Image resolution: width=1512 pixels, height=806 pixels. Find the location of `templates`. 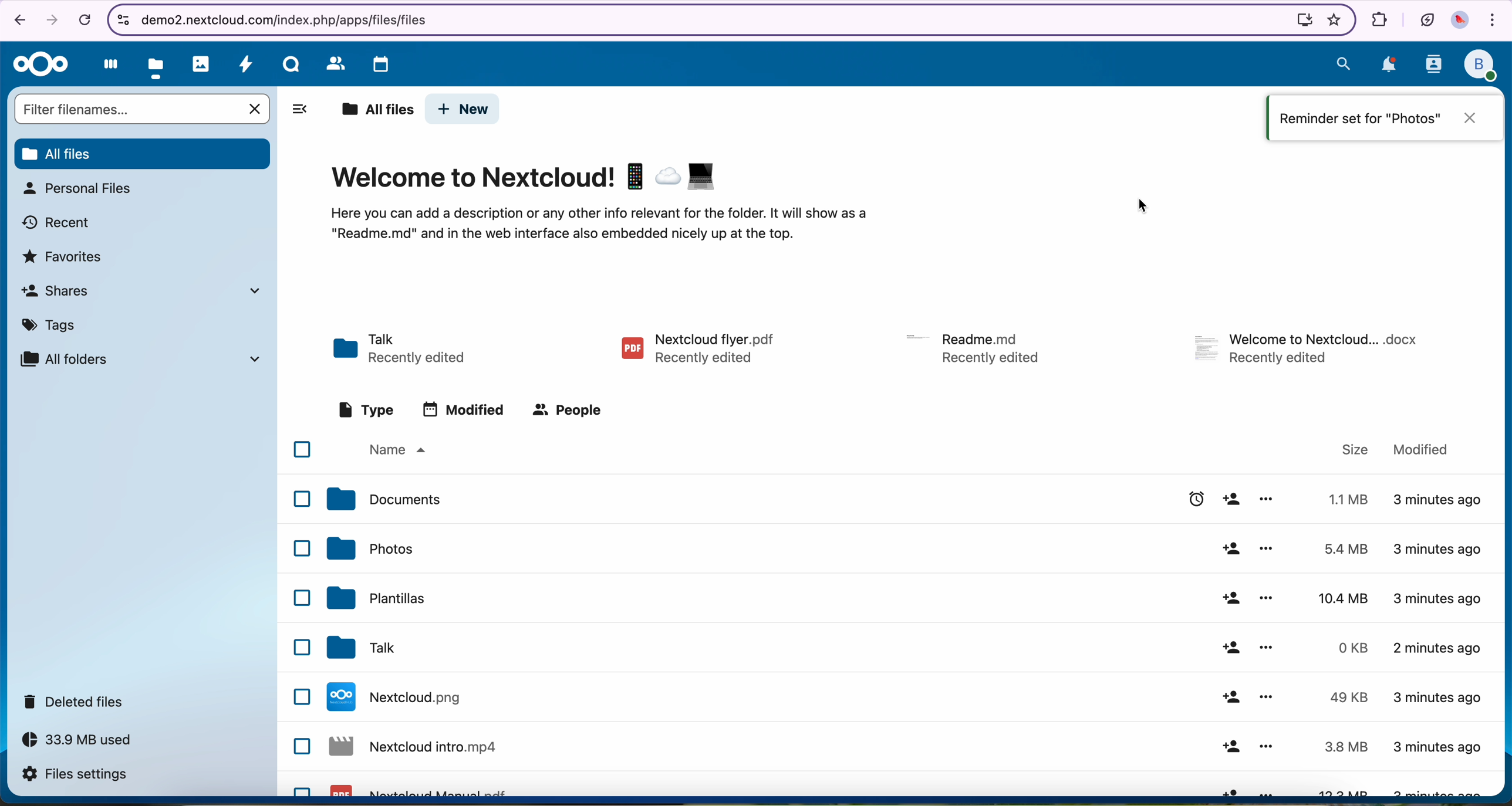

templates is located at coordinates (379, 600).